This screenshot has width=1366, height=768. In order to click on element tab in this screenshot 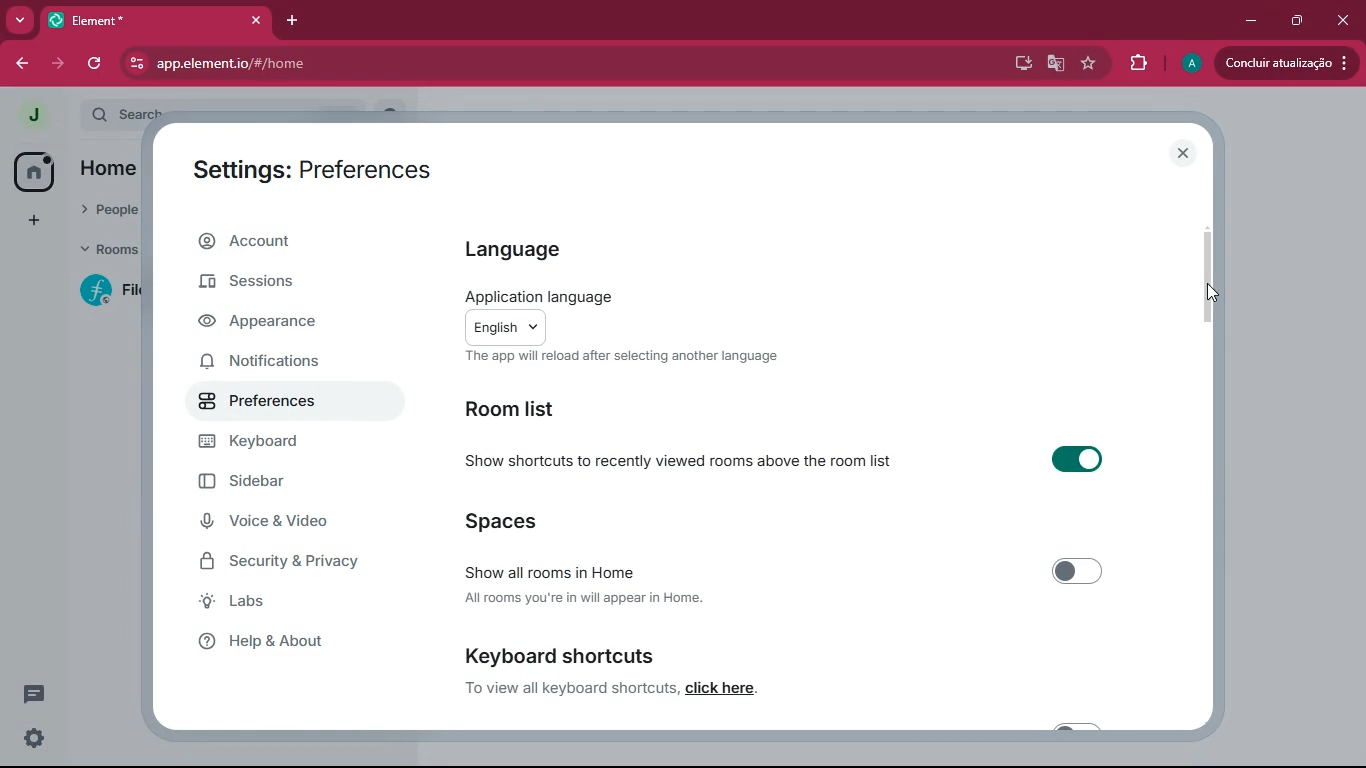, I will do `click(158, 21)`.